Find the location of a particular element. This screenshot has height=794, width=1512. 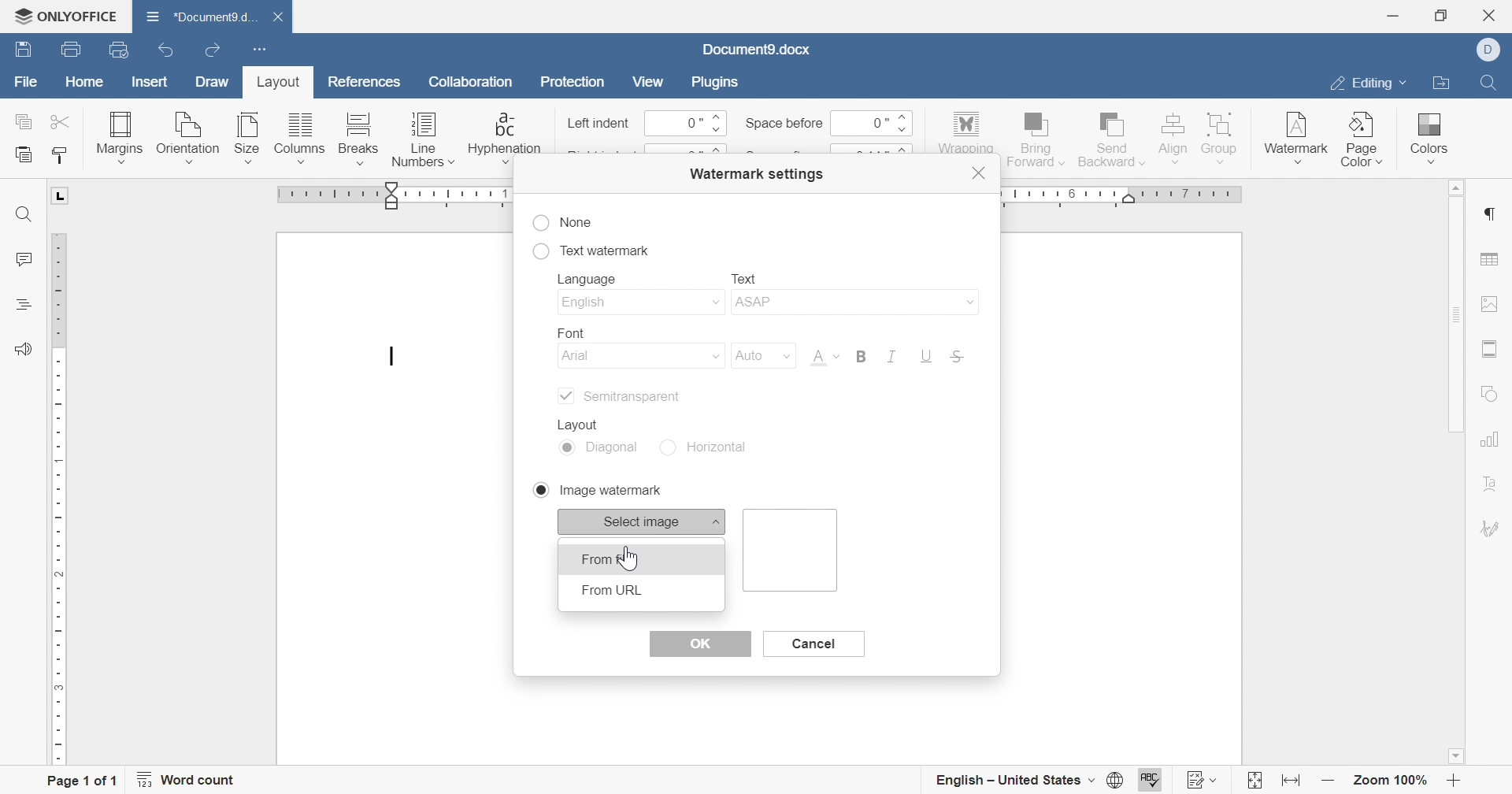

hyphenation is located at coordinates (504, 138).